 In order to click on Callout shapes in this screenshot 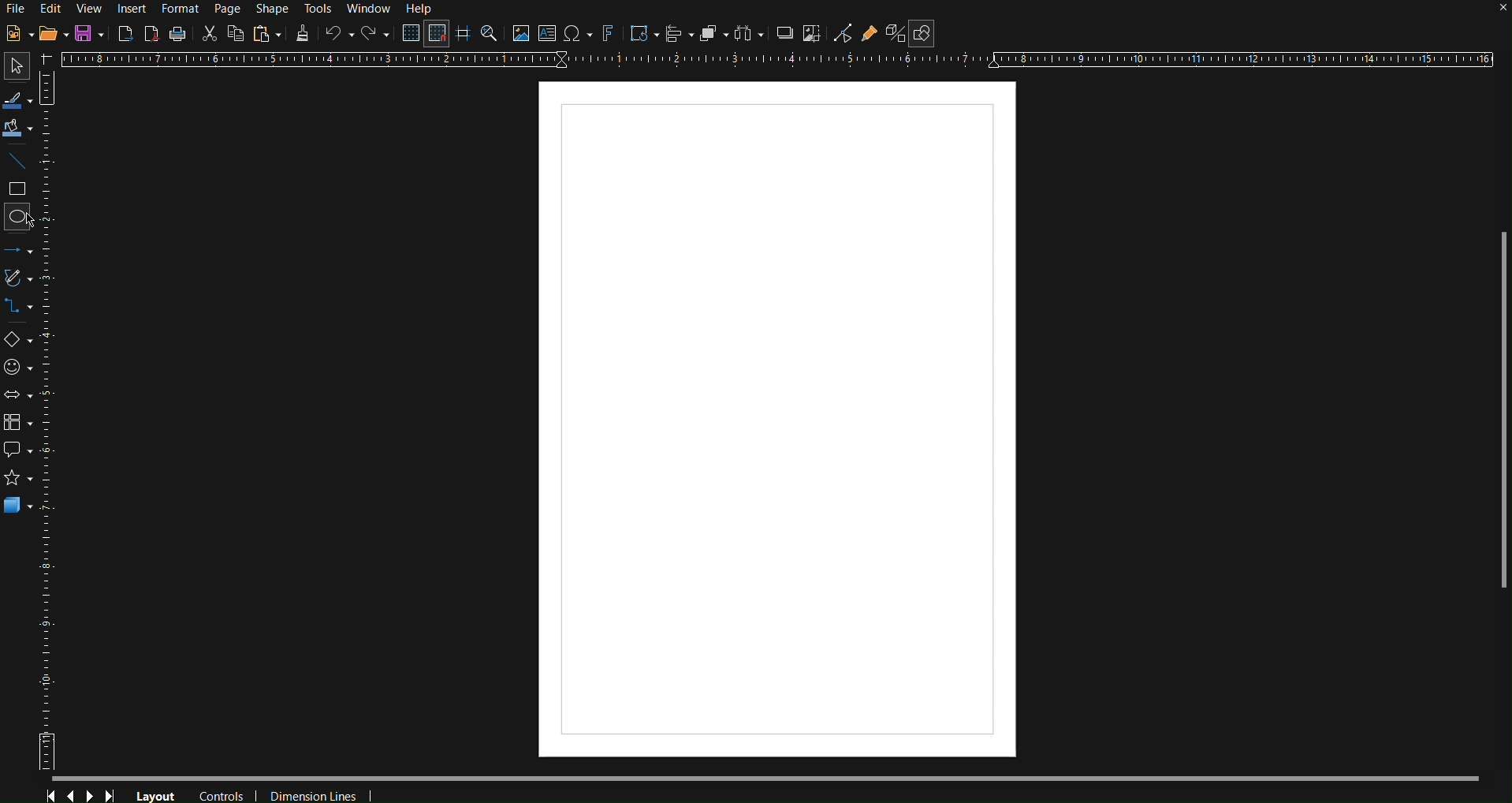, I will do `click(22, 450)`.